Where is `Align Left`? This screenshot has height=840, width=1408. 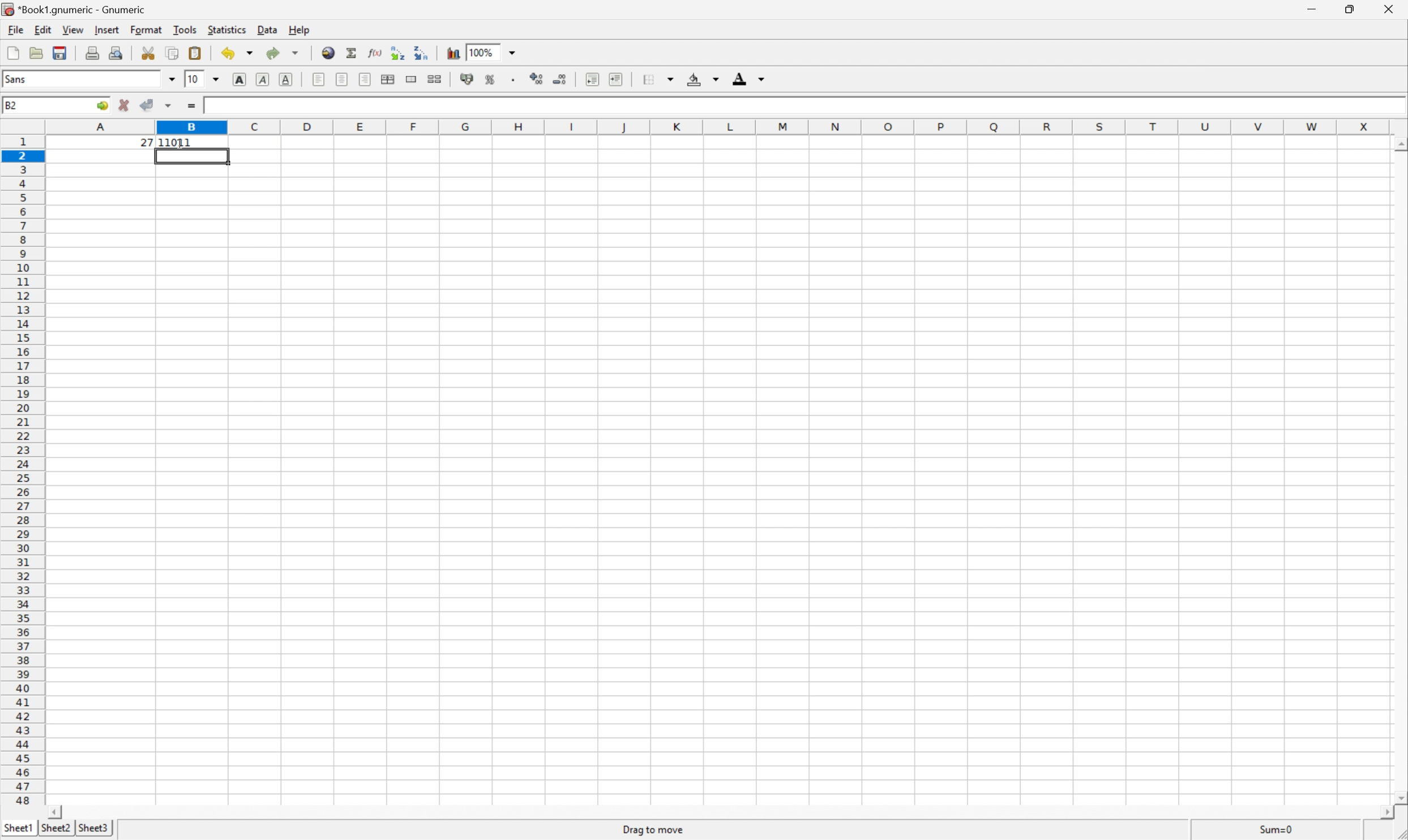 Align Left is located at coordinates (319, 81).